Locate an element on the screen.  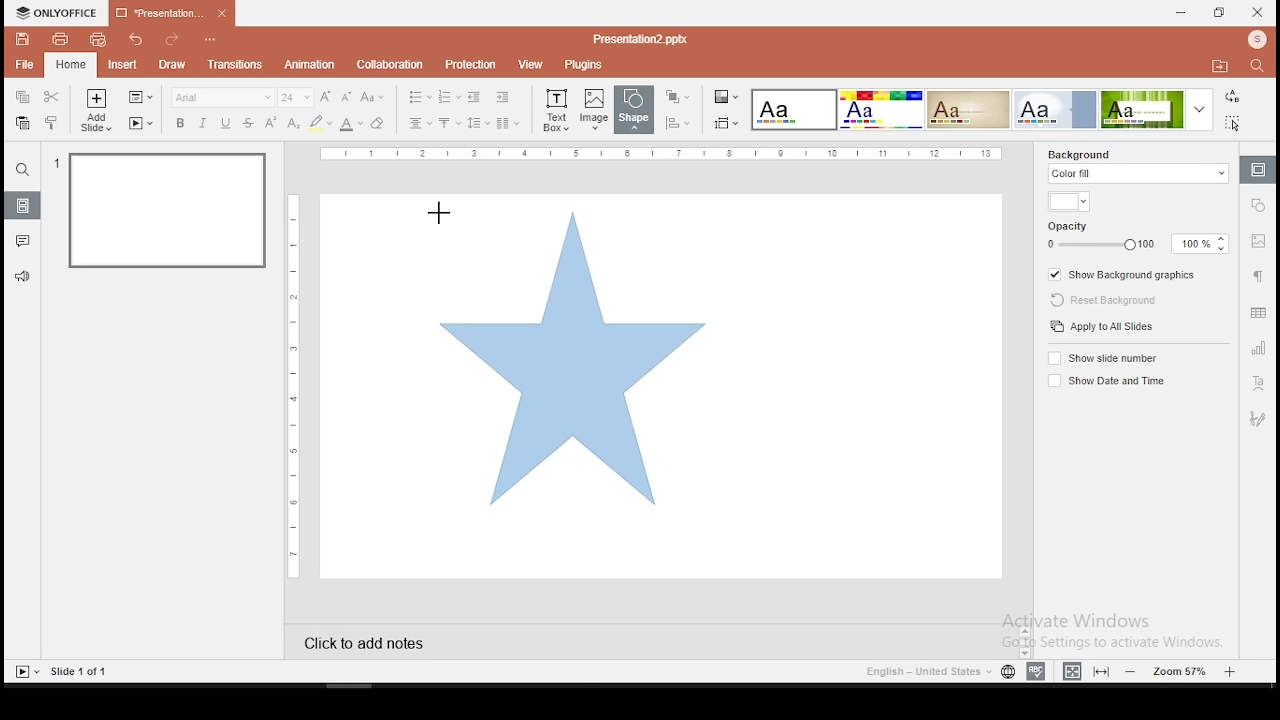
paragraph settings is located at coordinates (1257, 275).